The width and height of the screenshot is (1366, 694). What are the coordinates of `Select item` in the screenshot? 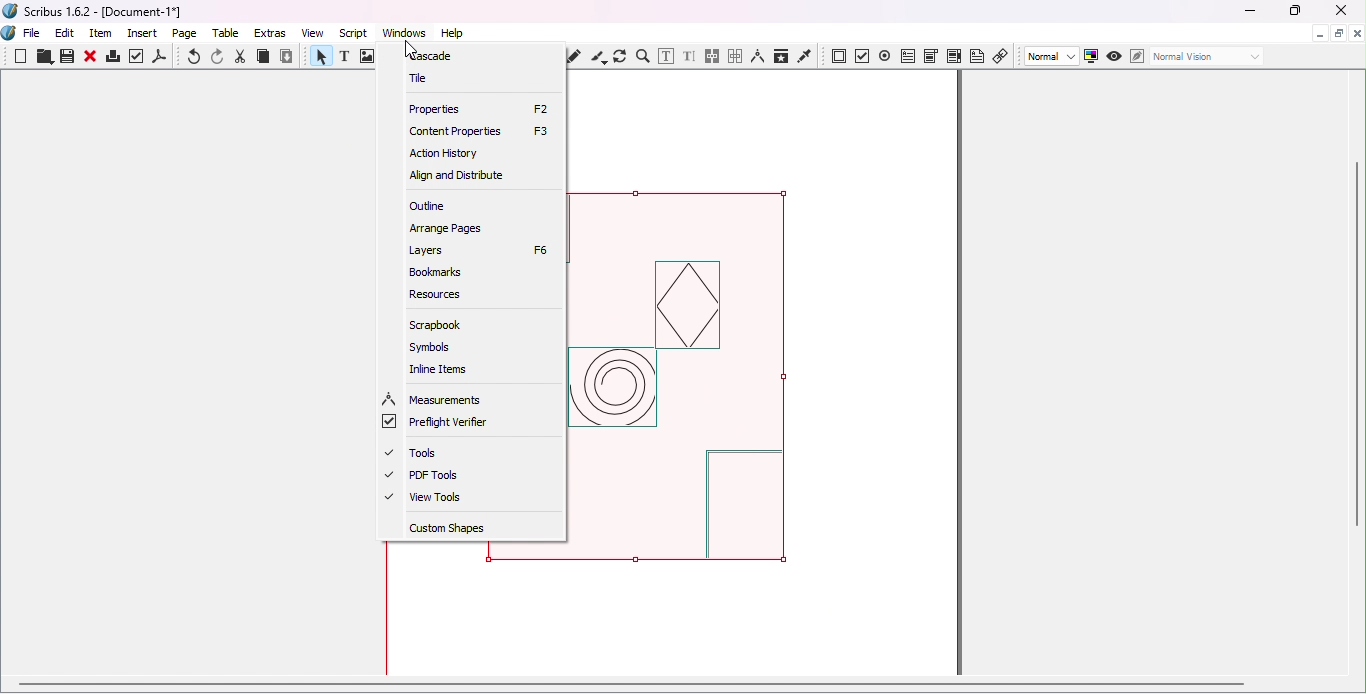 It's located at (319, 58).